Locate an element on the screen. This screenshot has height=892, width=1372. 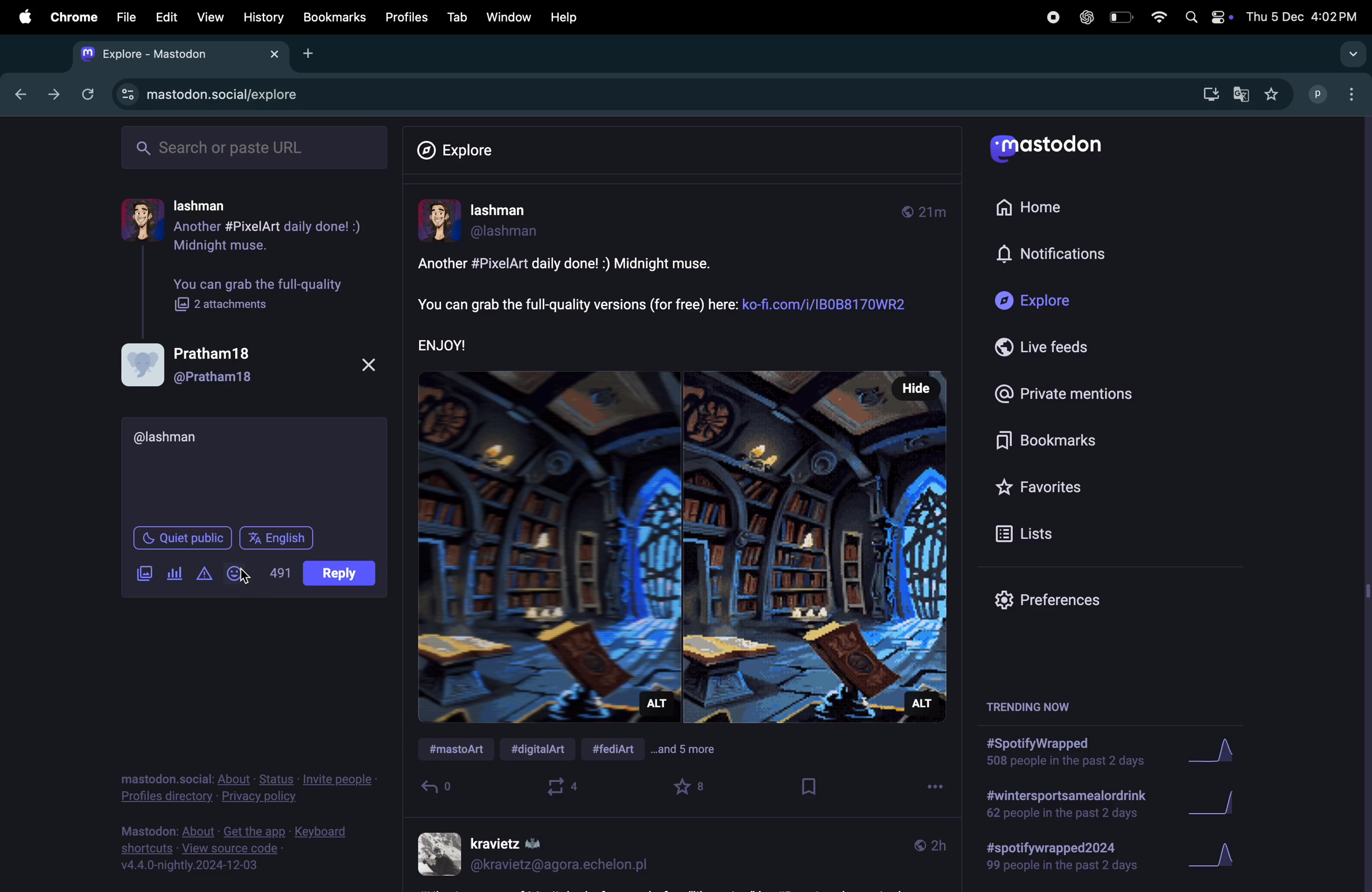
apple menu is located at coordinates (22, 17).